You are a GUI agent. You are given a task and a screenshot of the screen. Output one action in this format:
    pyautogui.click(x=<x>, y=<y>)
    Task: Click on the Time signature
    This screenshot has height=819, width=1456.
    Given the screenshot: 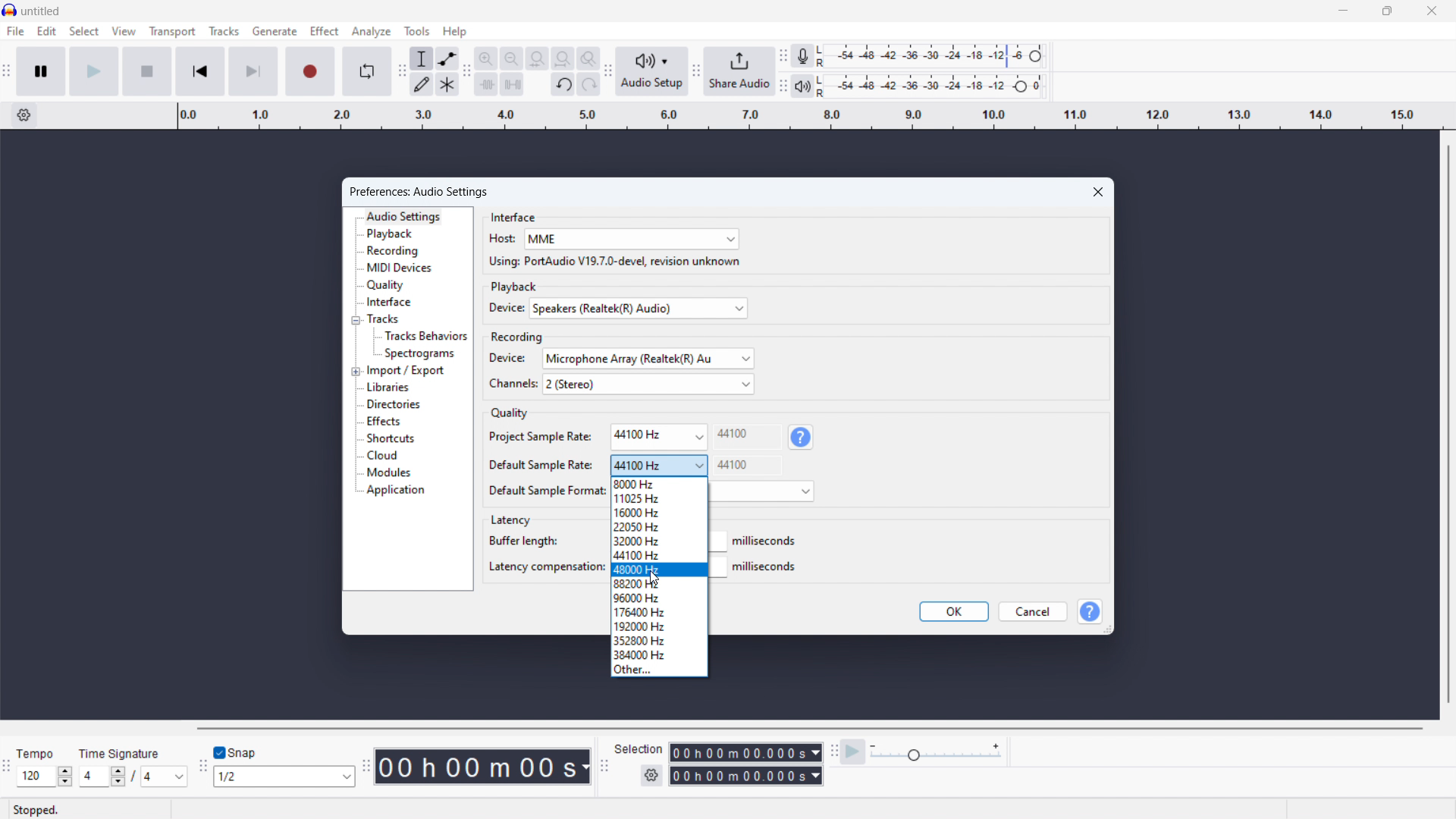 What is the action you would take?
    pyautogui.click(x=123, y=752)
    